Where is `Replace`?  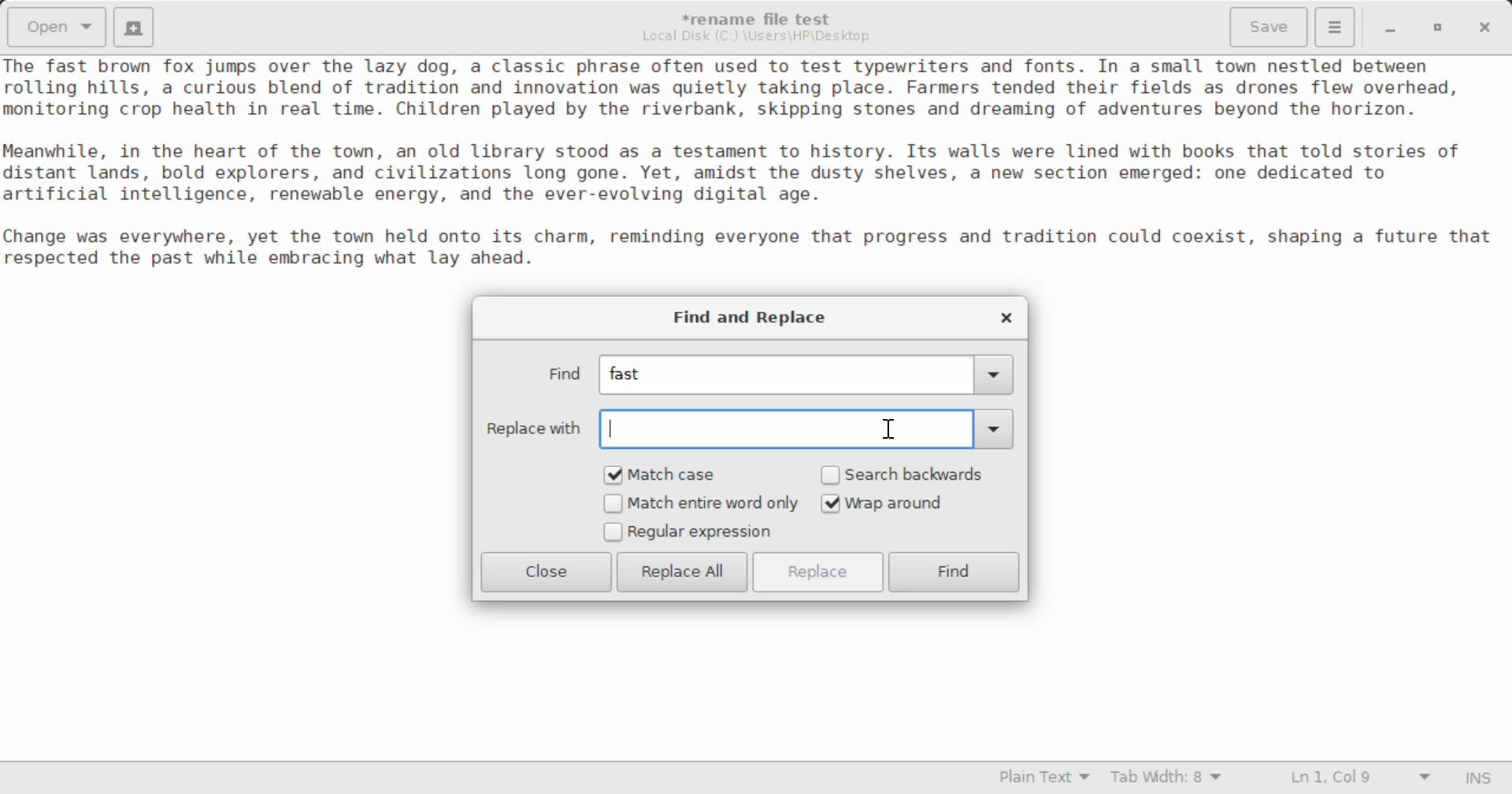 Replace is located at coordinates (821, 572).